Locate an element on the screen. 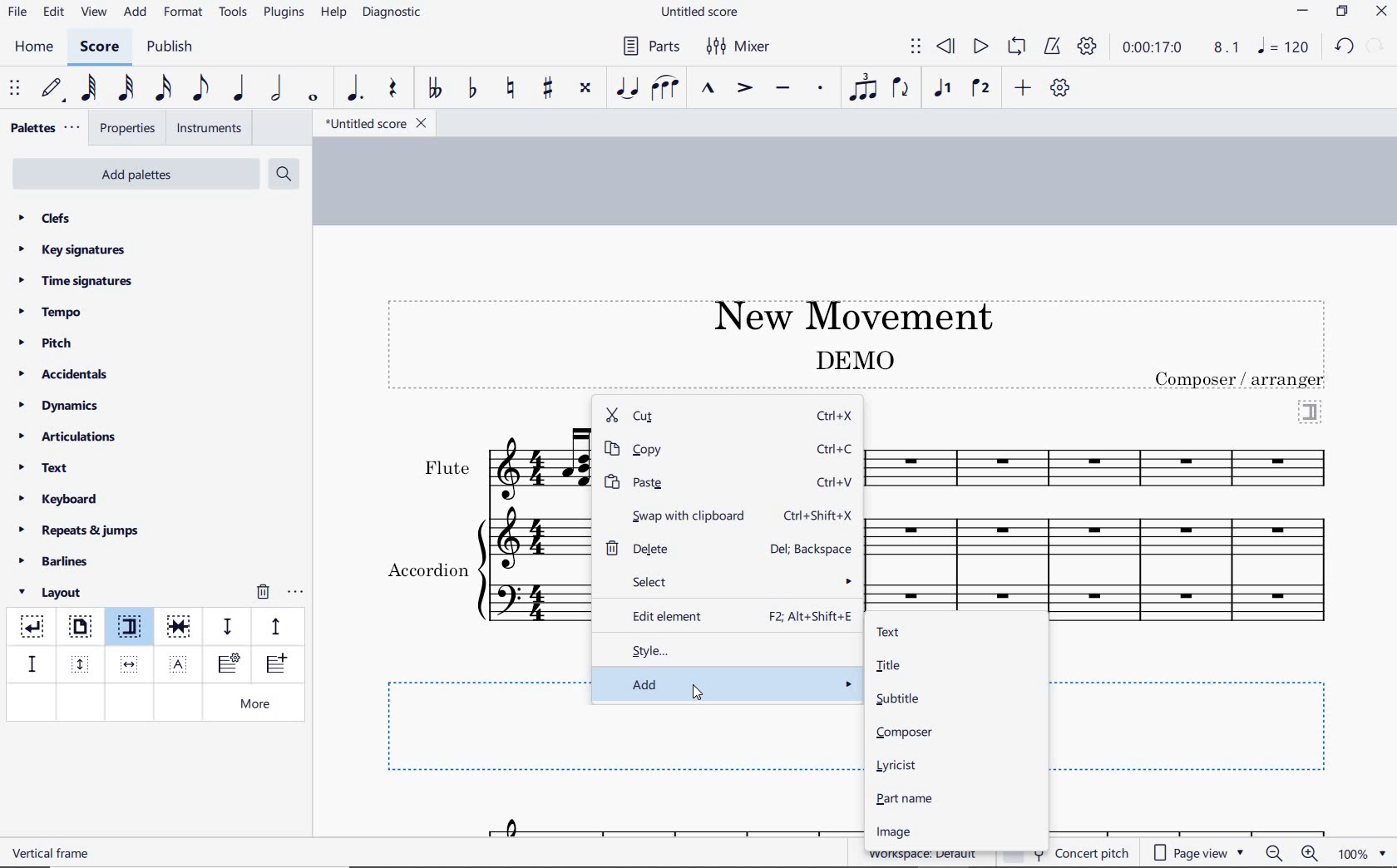 Image resolution: width=1397 pixels, height=868 pixels. tools is located at coordinates (234, 12).